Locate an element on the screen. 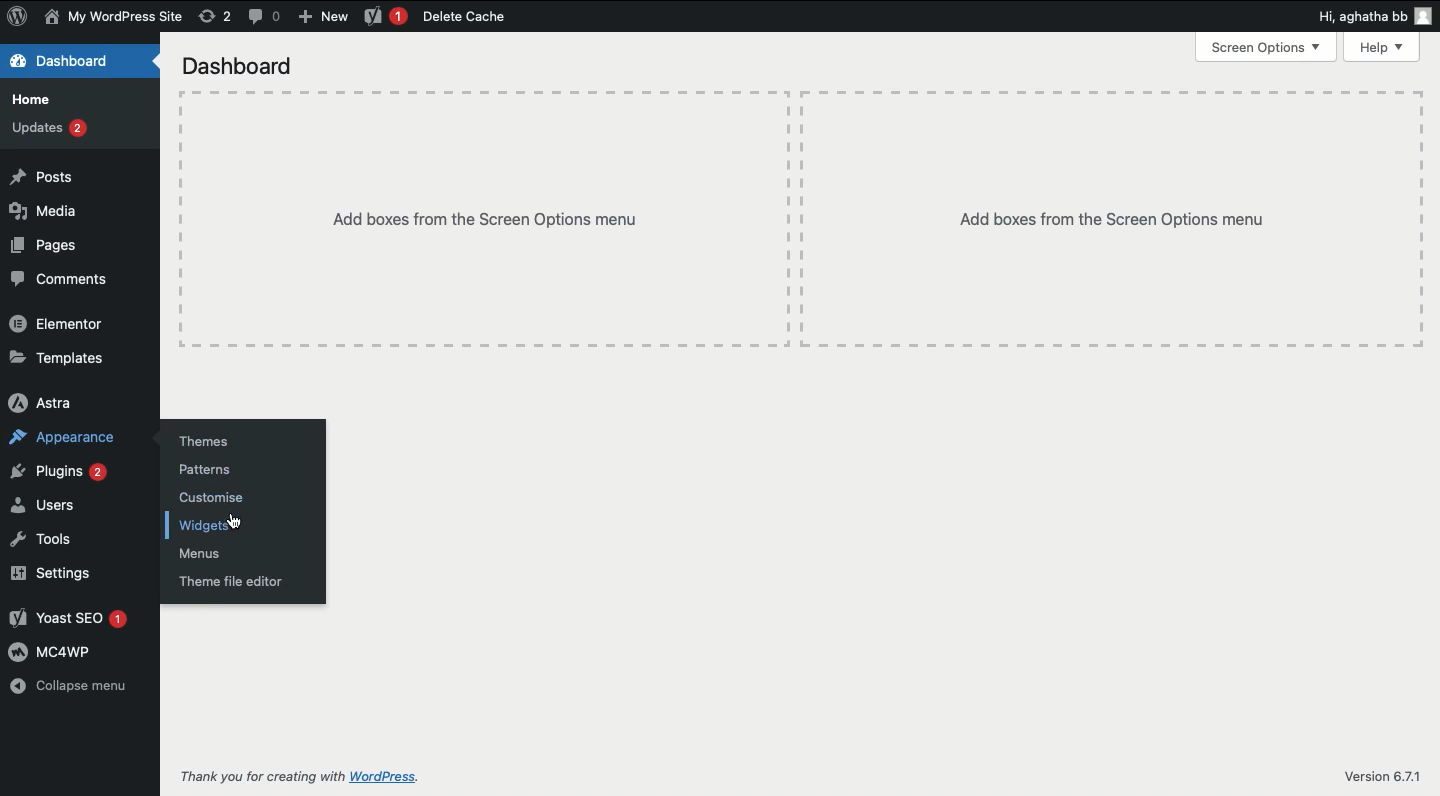 The width and height of the screenshot is (1440, 796).  My WordPress Site is located at coordinates (118, 18).